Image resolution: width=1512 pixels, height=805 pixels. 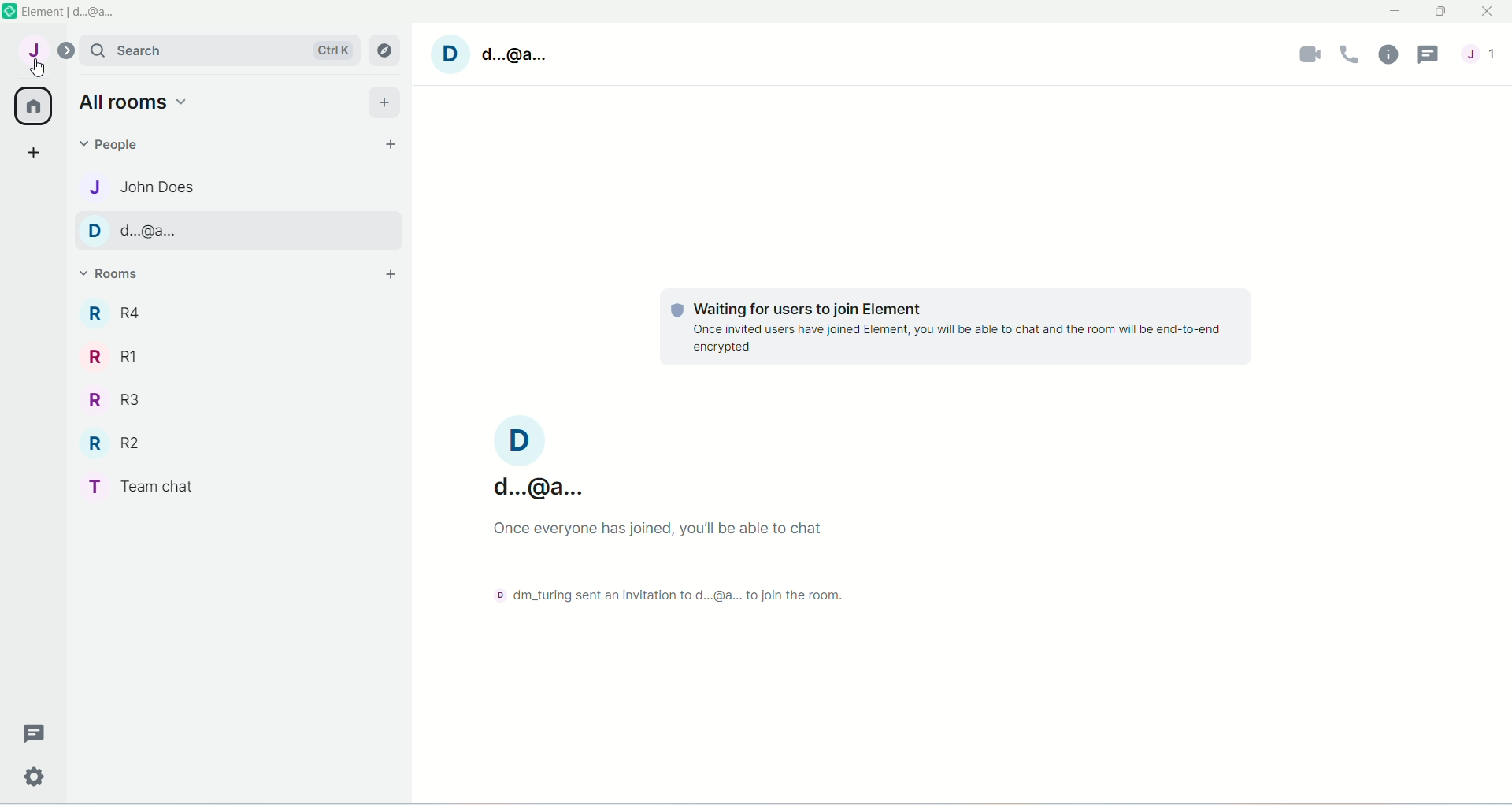 I want to click on Create a space, so click(x=28, y=150).